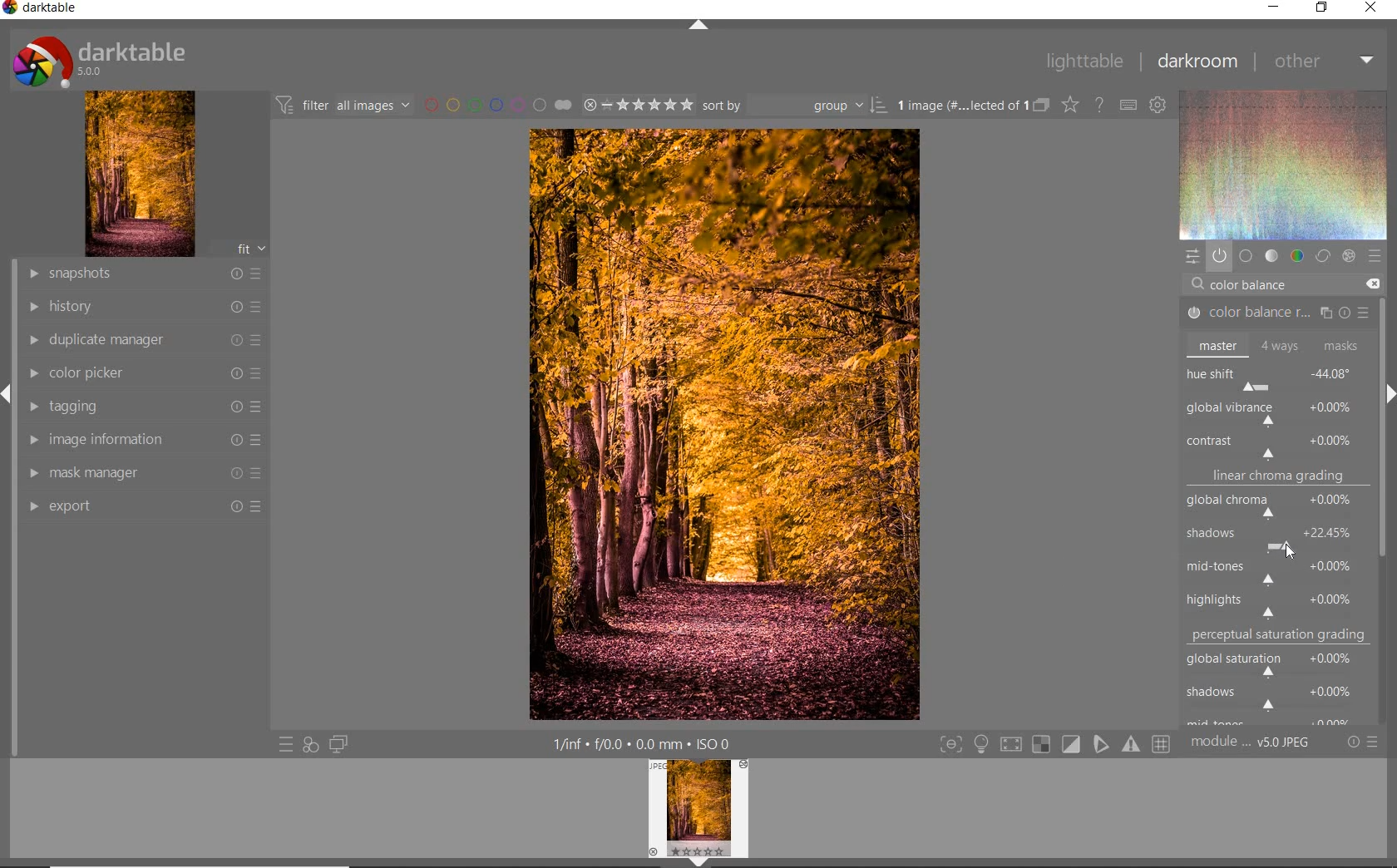 Image resolution: width=1397 pixels, height=868 pixels. Describe the element at coordinates (146, 506) in the screenshot. I see `export` at that location.